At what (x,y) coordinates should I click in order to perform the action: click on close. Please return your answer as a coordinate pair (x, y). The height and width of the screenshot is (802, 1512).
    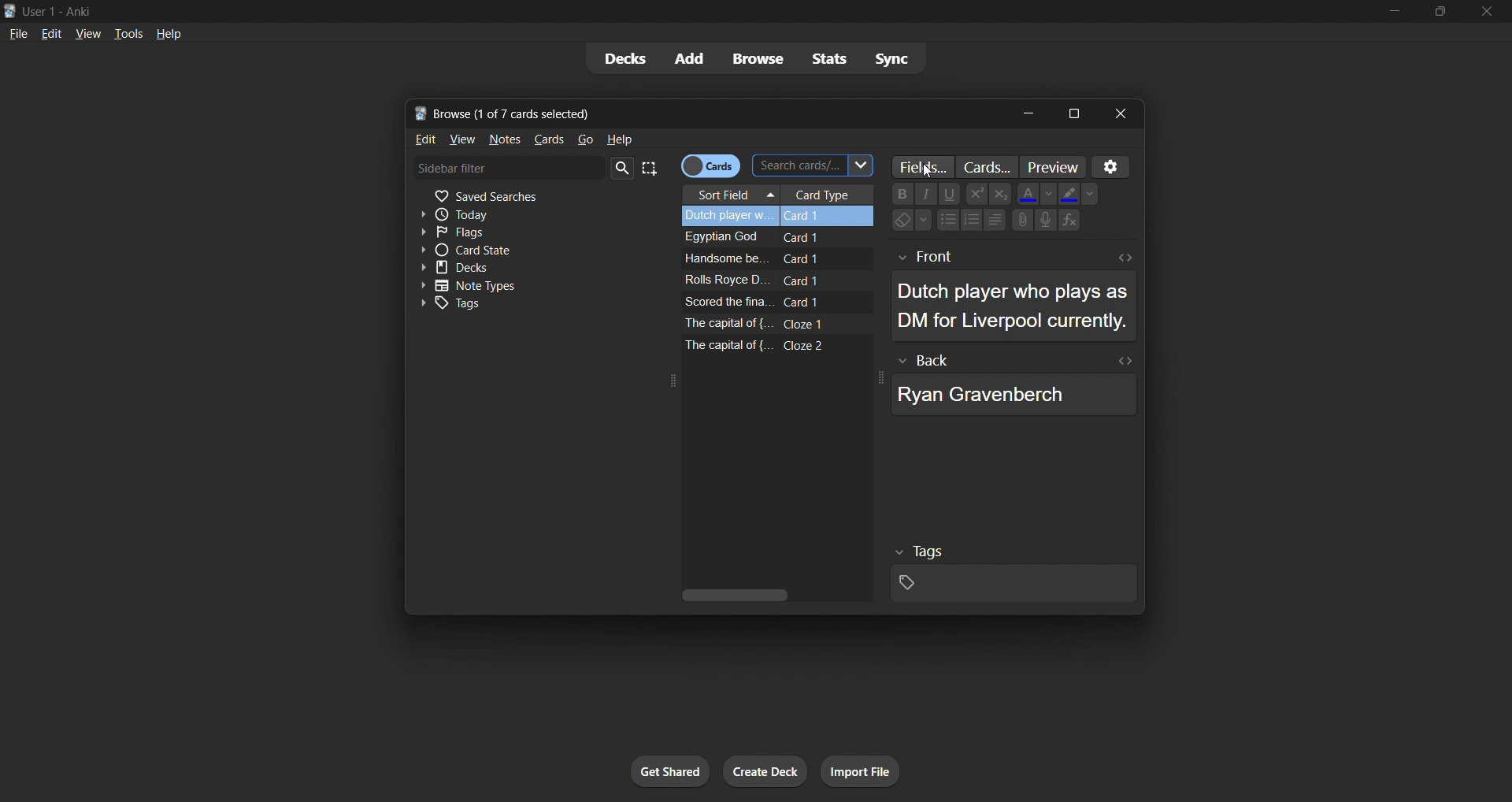
    Looking at the image, I should click on (1484, 12).